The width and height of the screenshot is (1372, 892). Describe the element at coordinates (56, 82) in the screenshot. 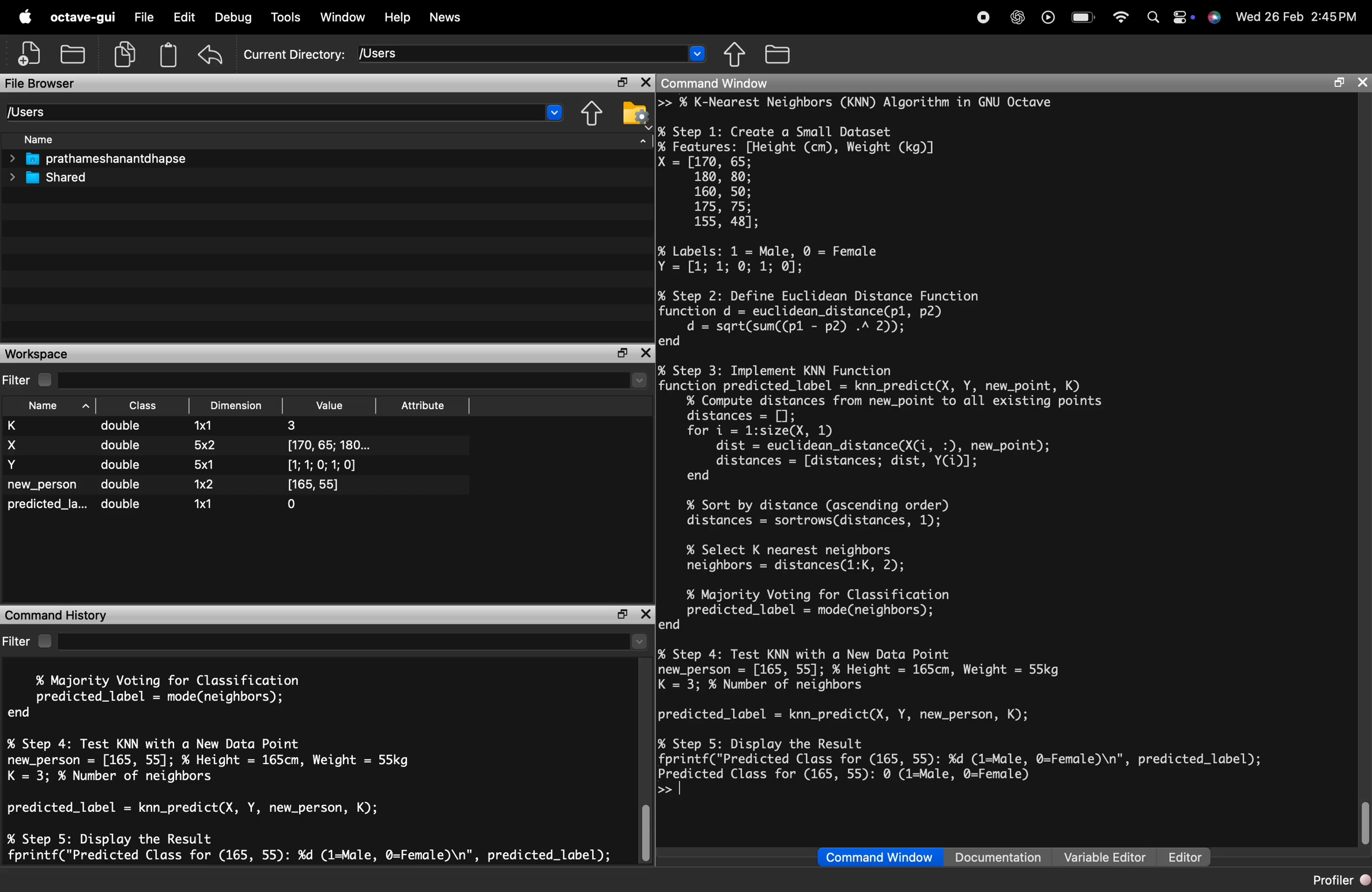

I see `File Browser` at that location.